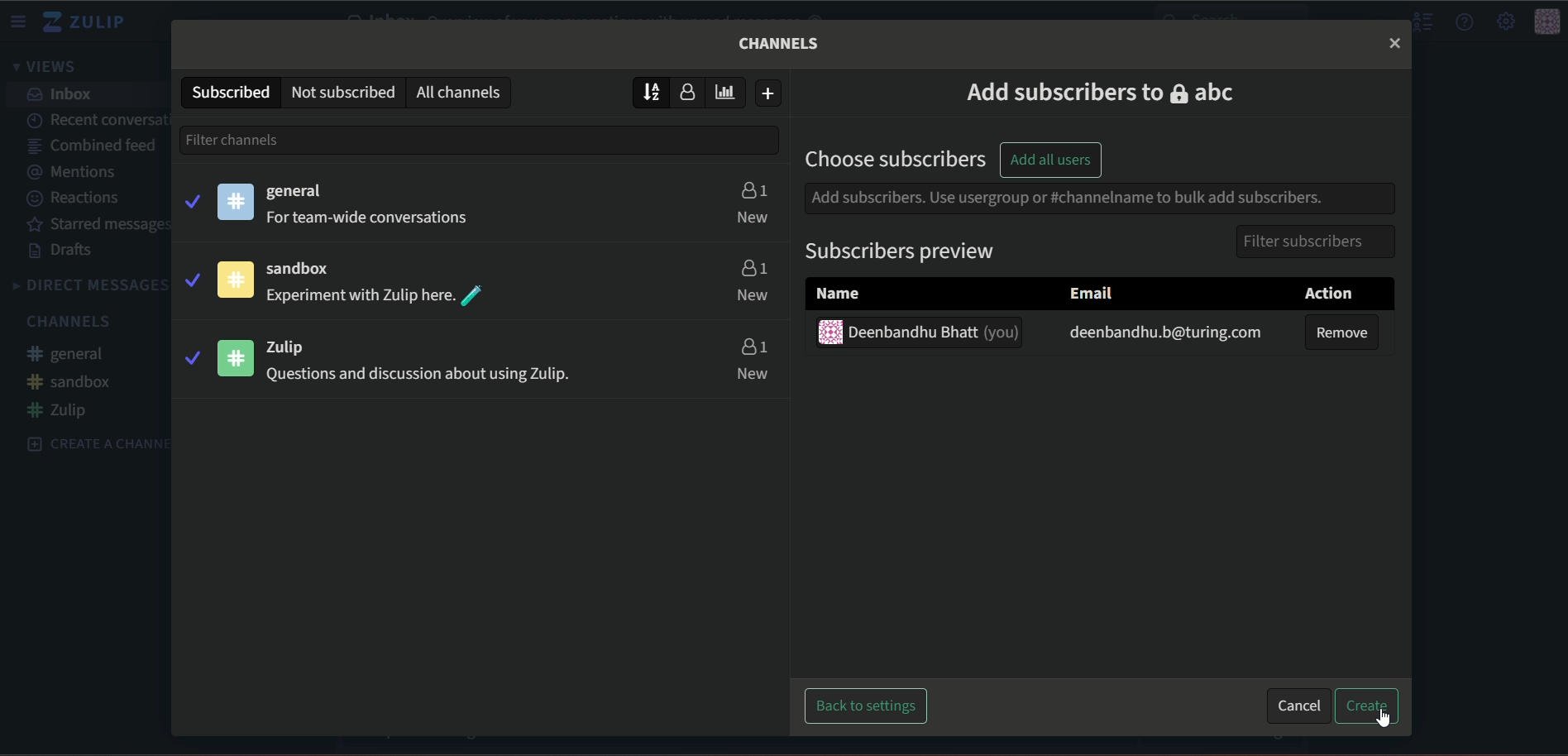  I want to click on sort, so click(652, 91).